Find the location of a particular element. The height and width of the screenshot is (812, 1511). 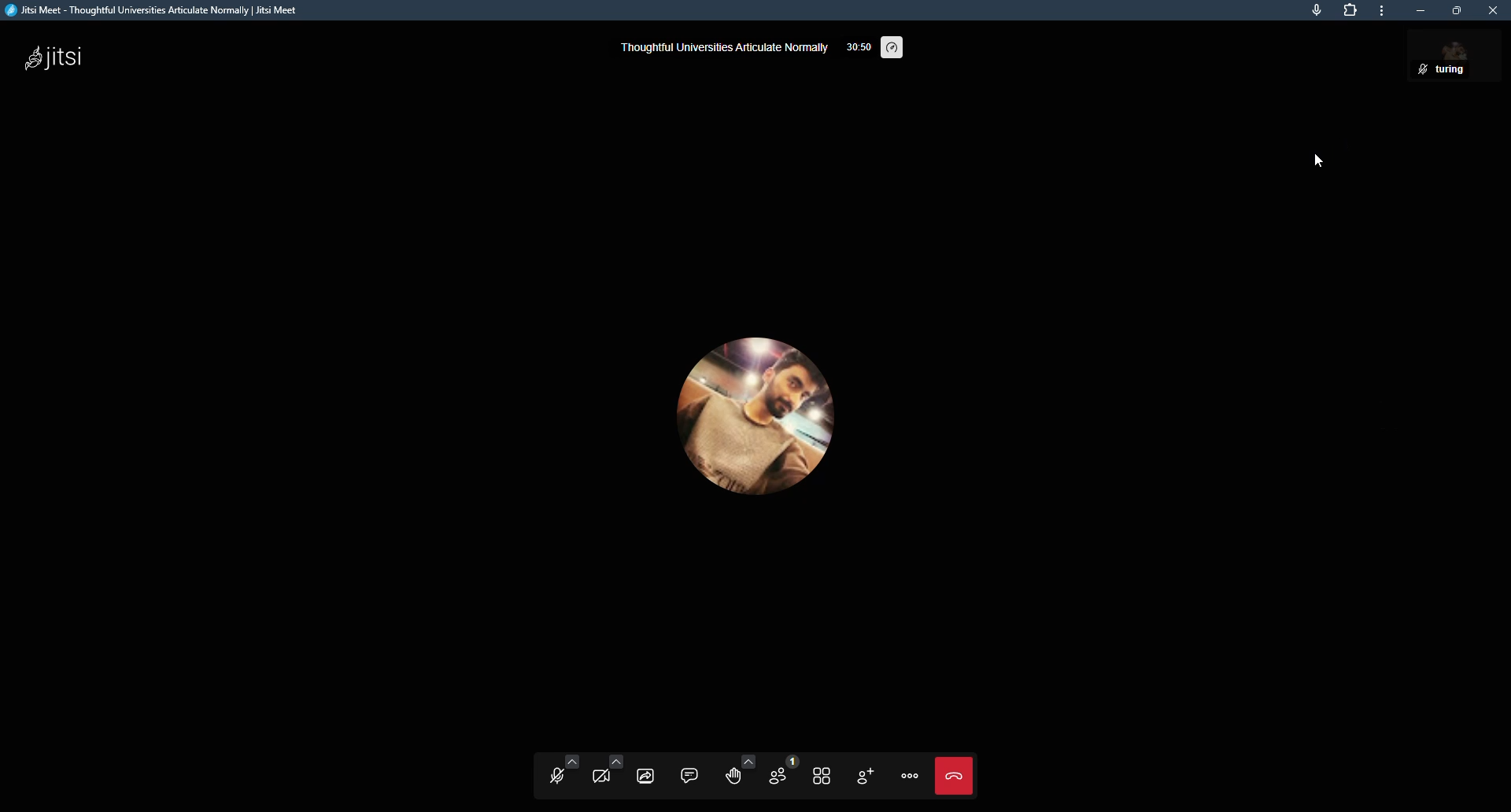

Turing is located at coordinates (1467, 68).